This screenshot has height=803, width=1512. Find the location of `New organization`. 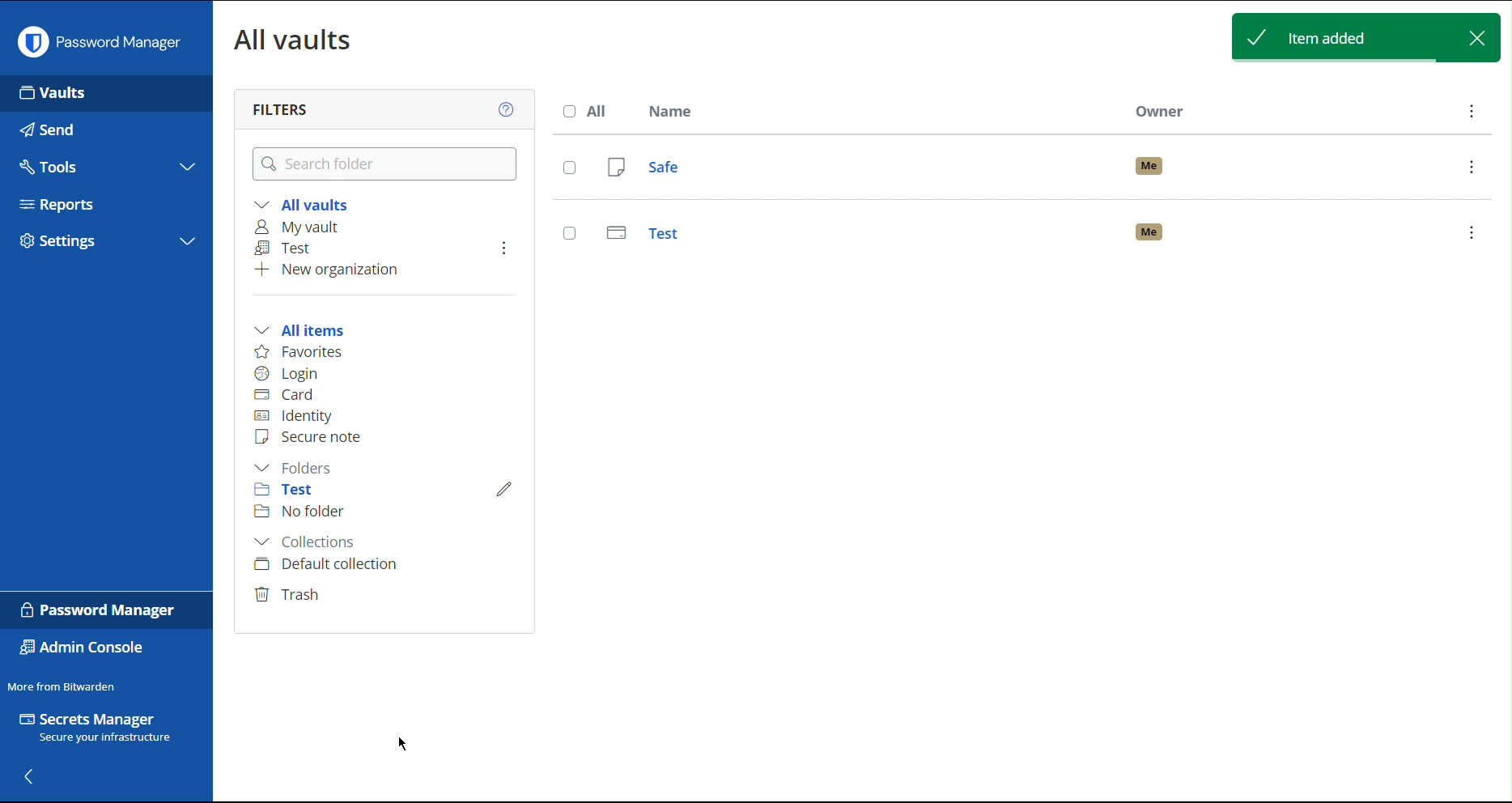

New organization is located at coordinates (323, 269).